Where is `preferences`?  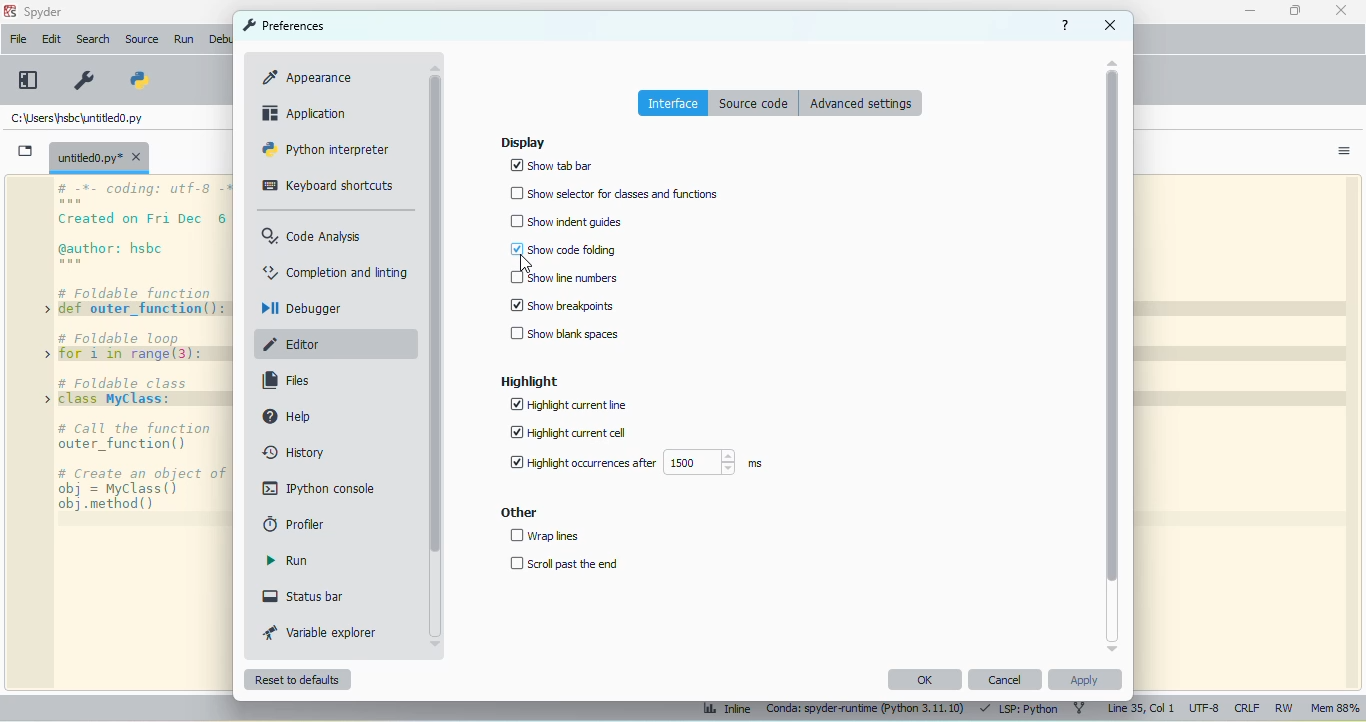 preferences is located at coordinates (83, 80).